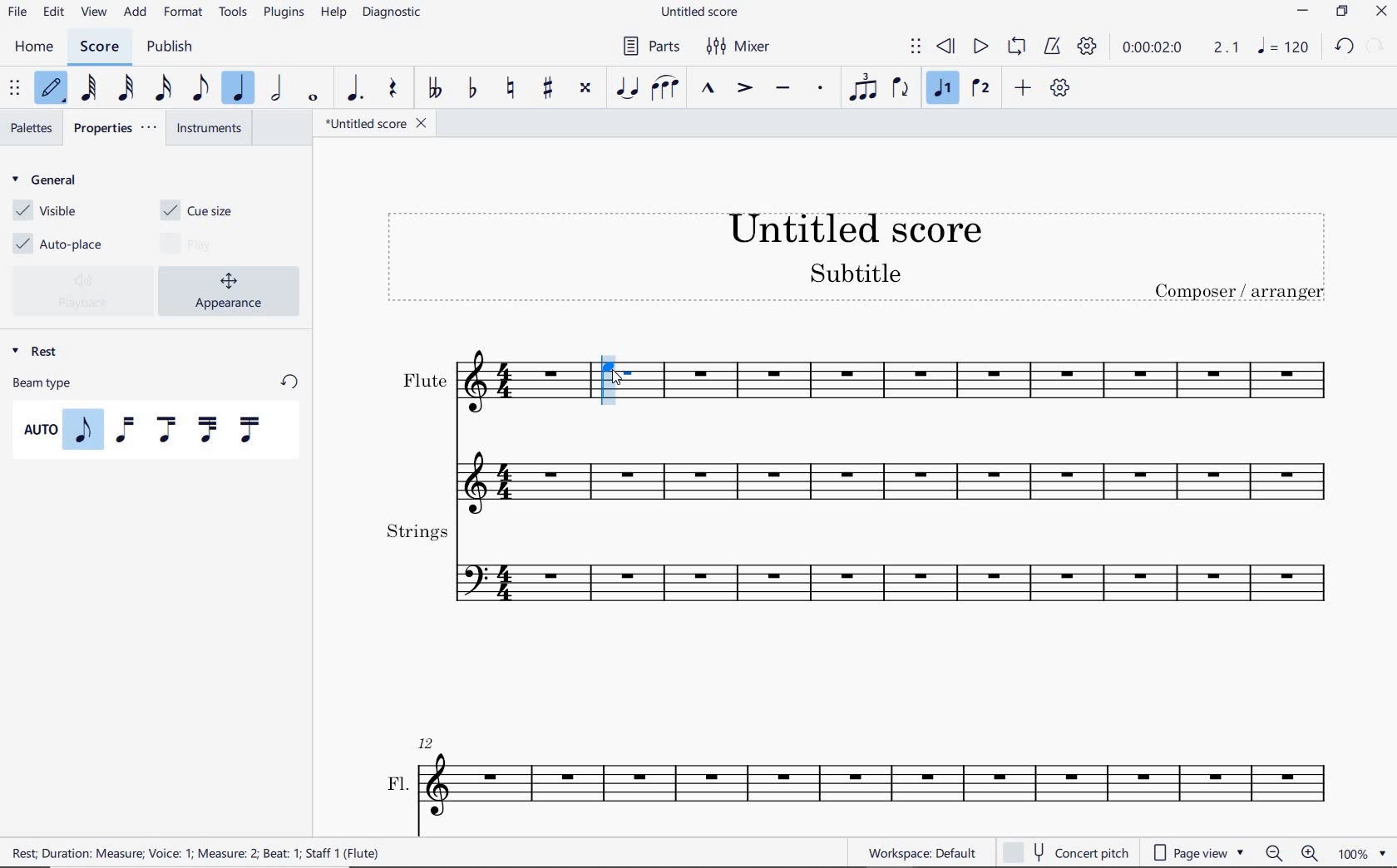  Describe the element at coordinates (1284, 50) in the screenshot. I see `note` at that location.